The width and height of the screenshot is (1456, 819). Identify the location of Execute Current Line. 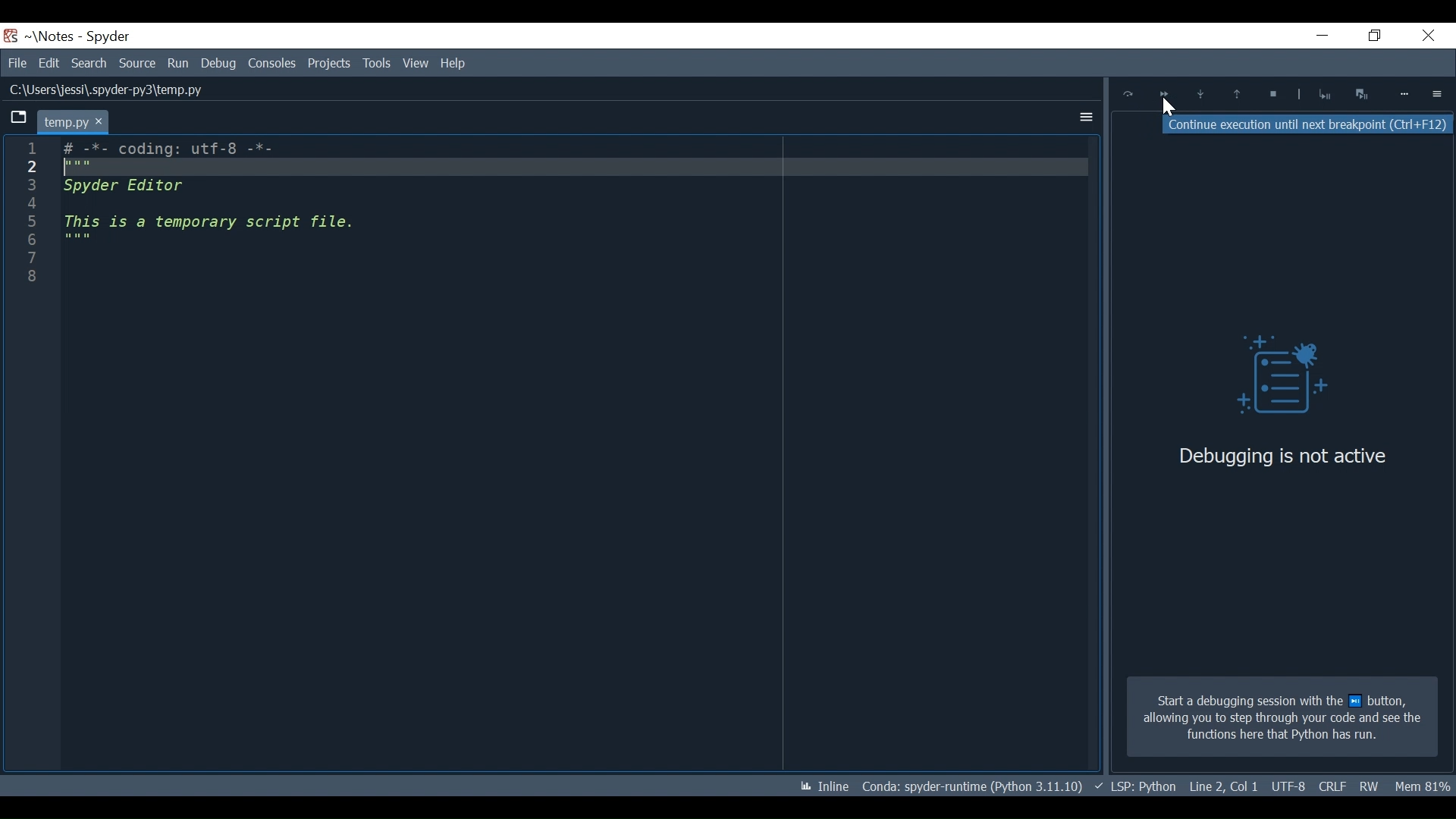
(1128, 94).